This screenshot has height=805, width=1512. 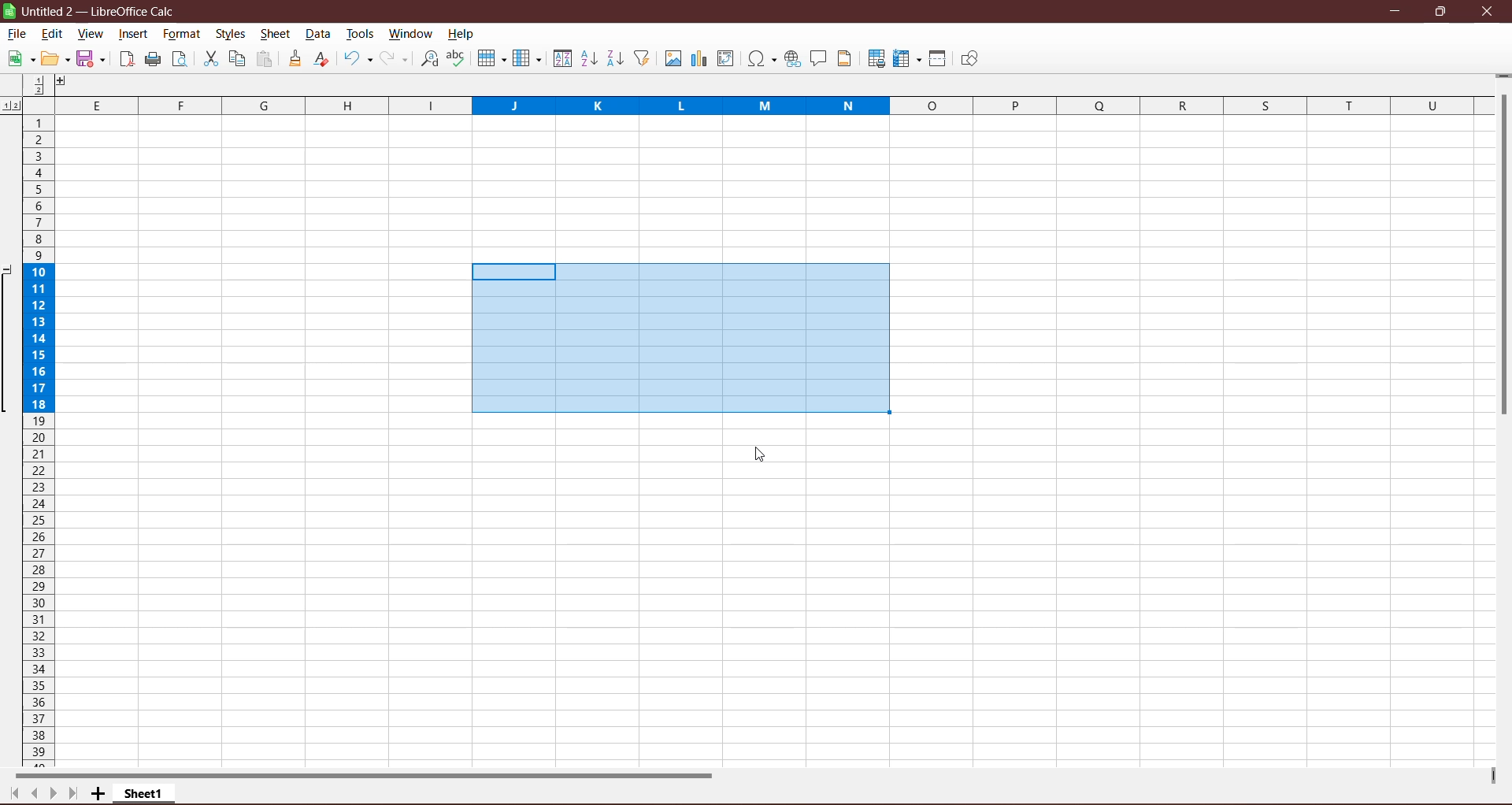 What do you see at coordinates (11, 794) in the screenshot?
I see `Scroll to first page` at bounding box center [11, 794].